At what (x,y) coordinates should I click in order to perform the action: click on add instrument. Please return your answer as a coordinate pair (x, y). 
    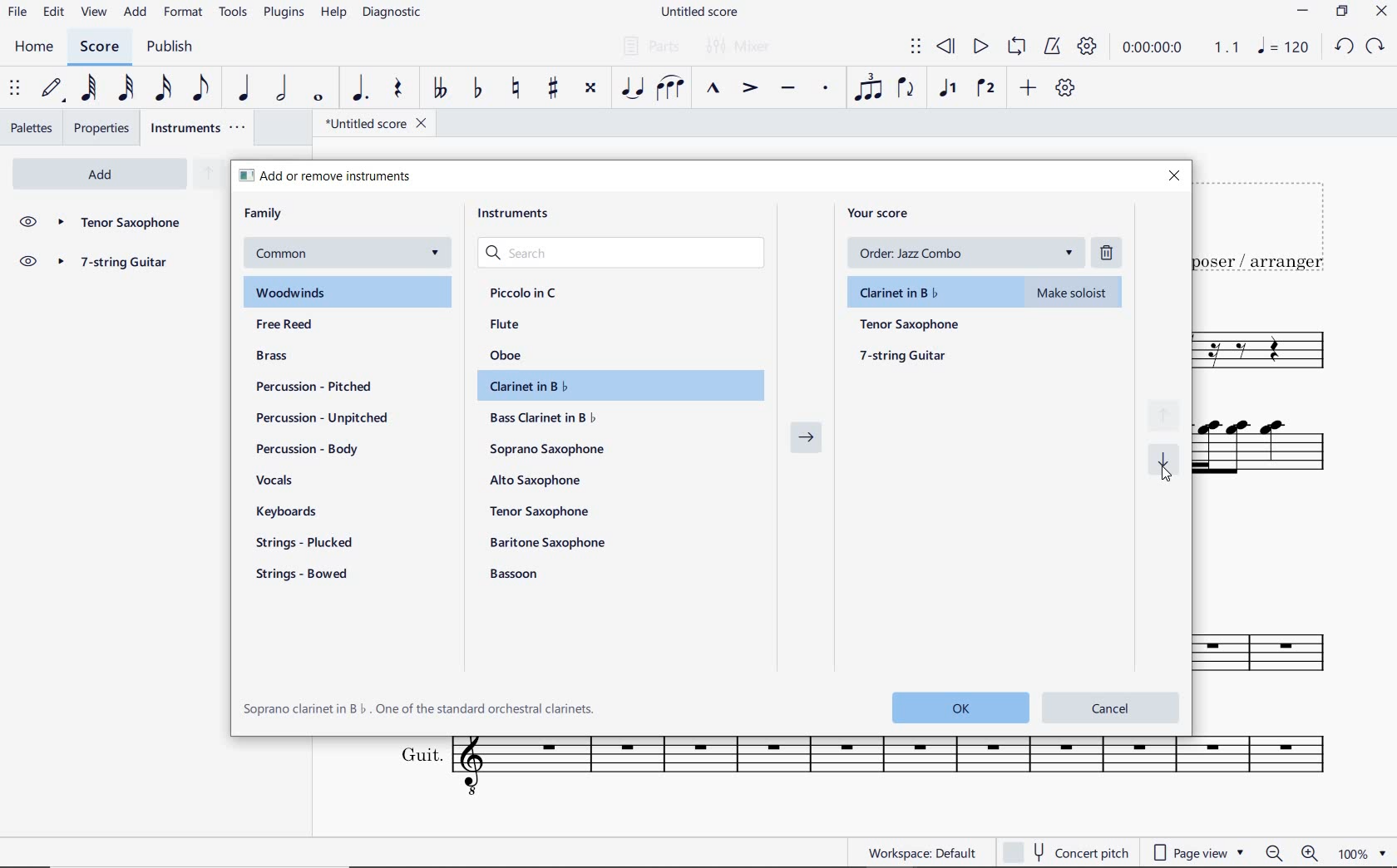
    Looking at the image, I should click on (100, 175).